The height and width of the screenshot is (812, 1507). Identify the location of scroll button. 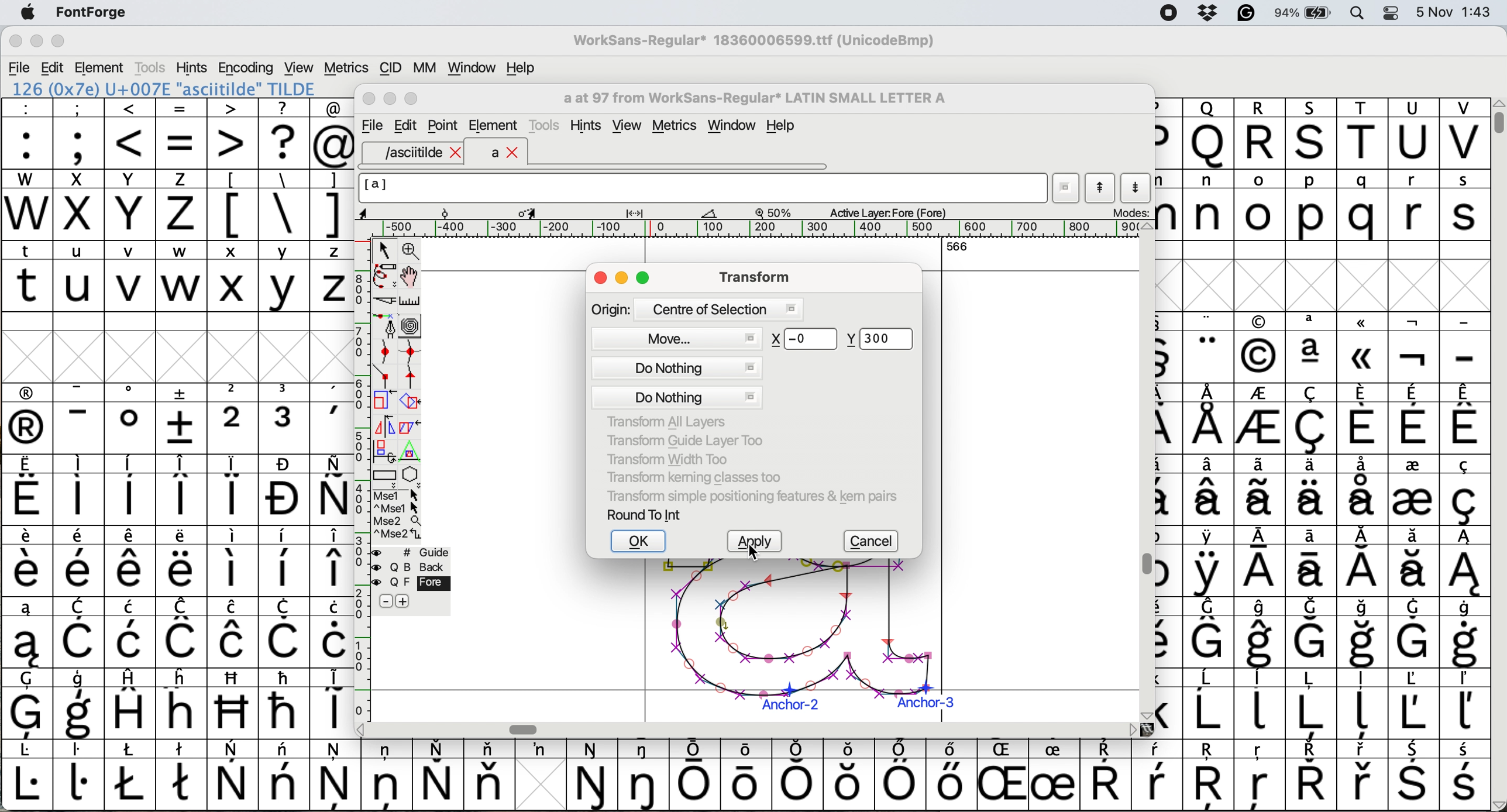
(362, 728).